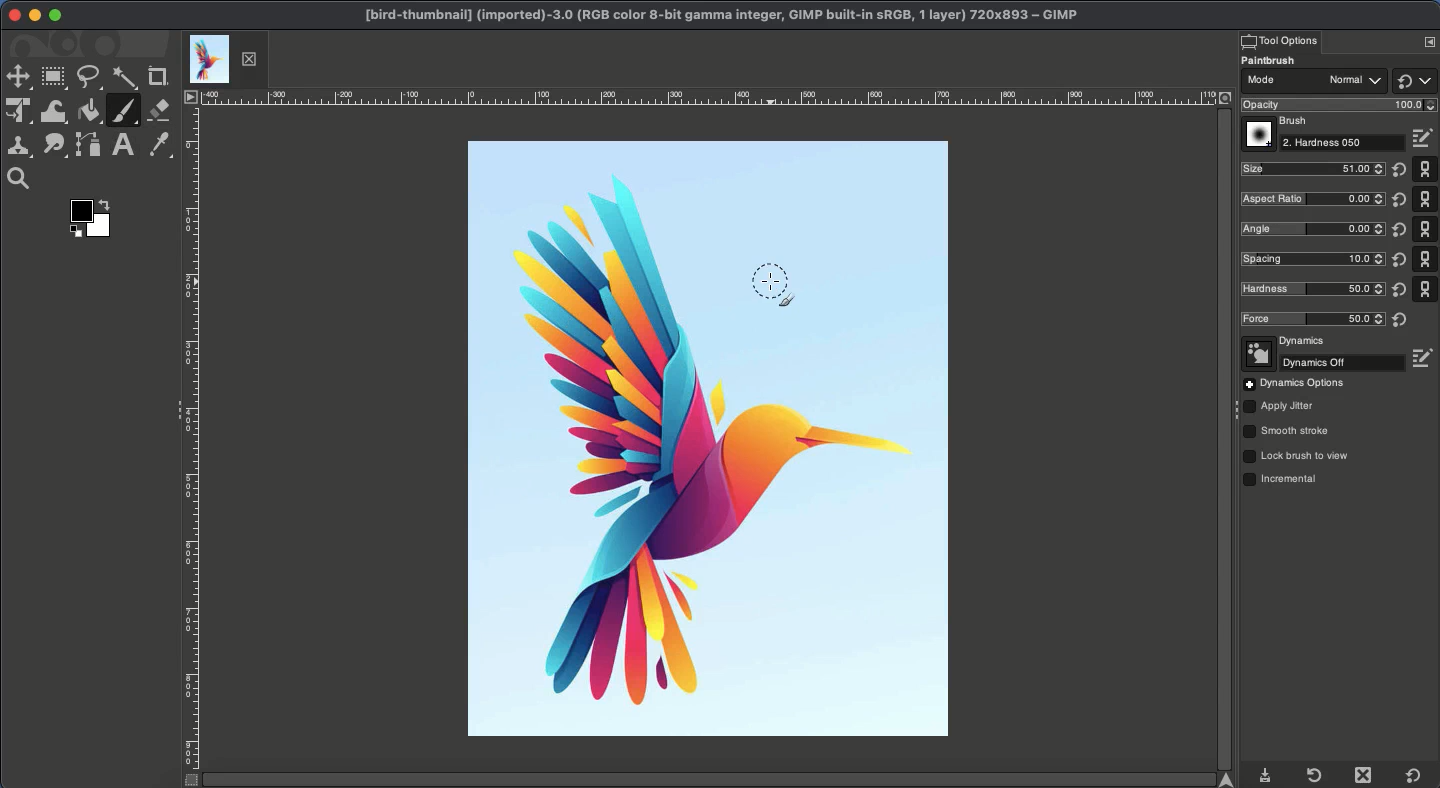  Describe the element at coordinates (1222, 439) in the screenshot. I see `Scroll` at that location.